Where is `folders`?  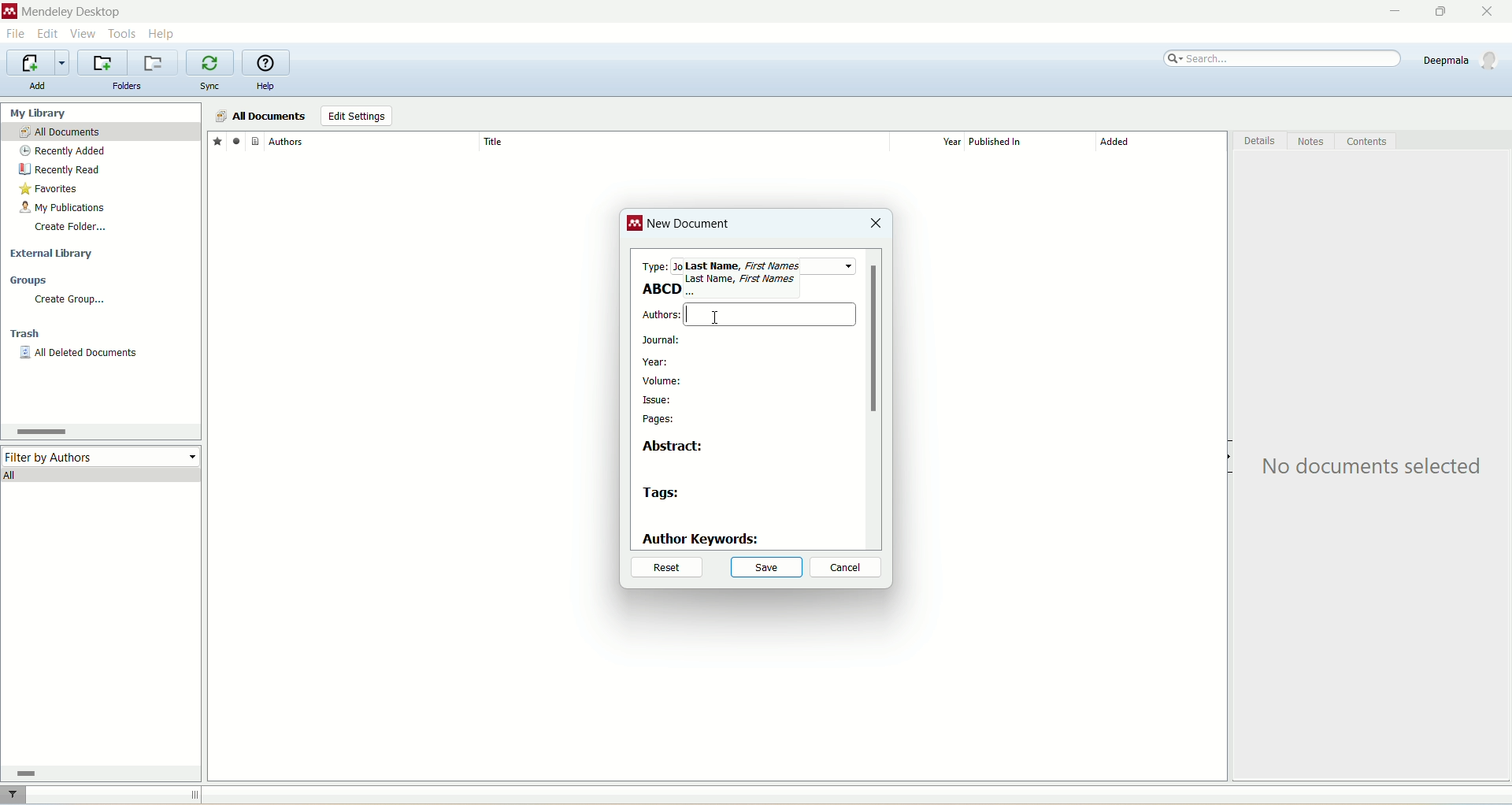 folders is located at coordinates (128, 87).